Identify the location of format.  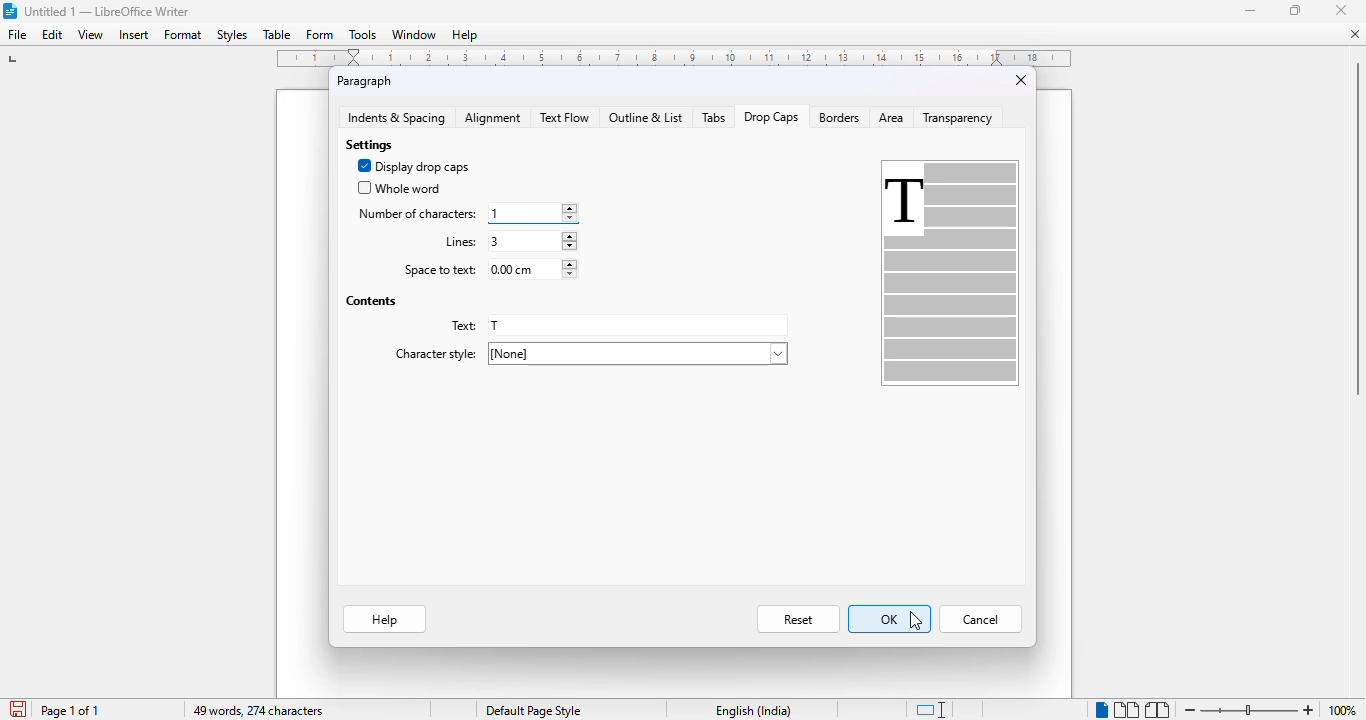
(184, 34).